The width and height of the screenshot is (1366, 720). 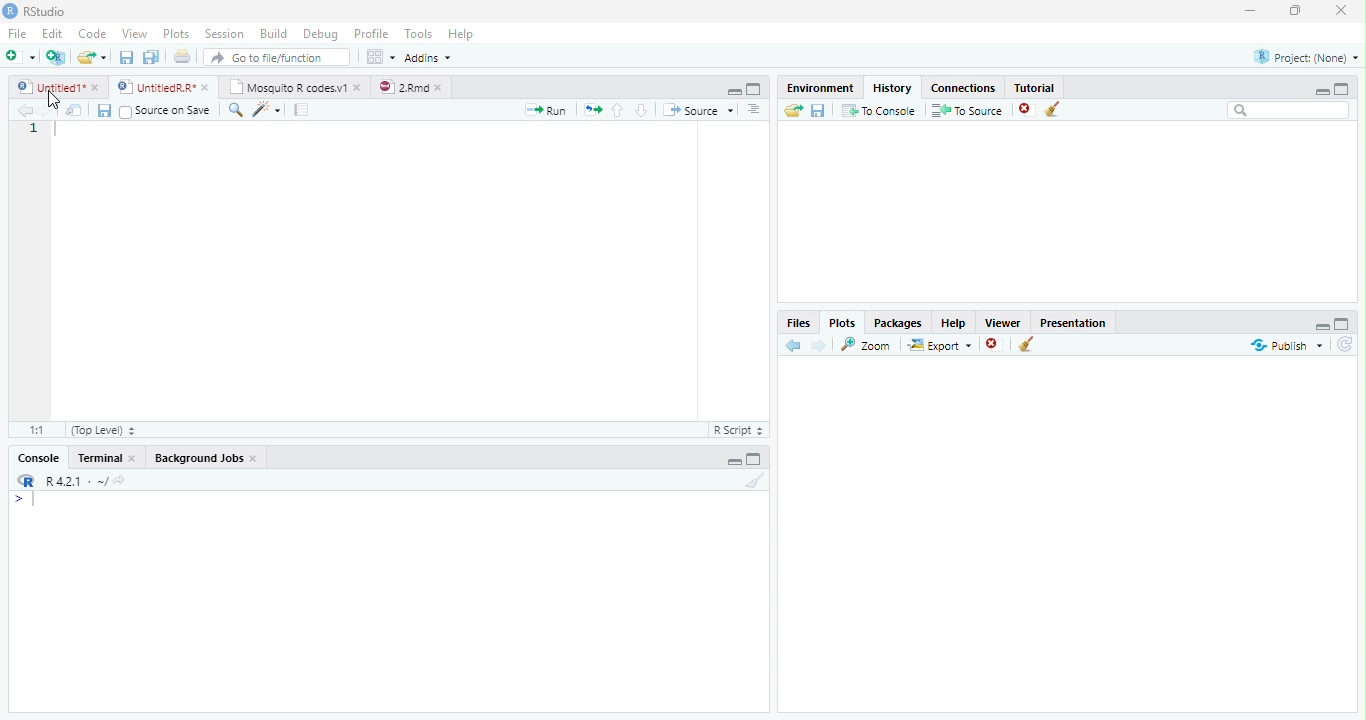 What do you see at coordinates (165, 111) in the screenshot?
I see `Source on Save` at bounding box center [165, 111].